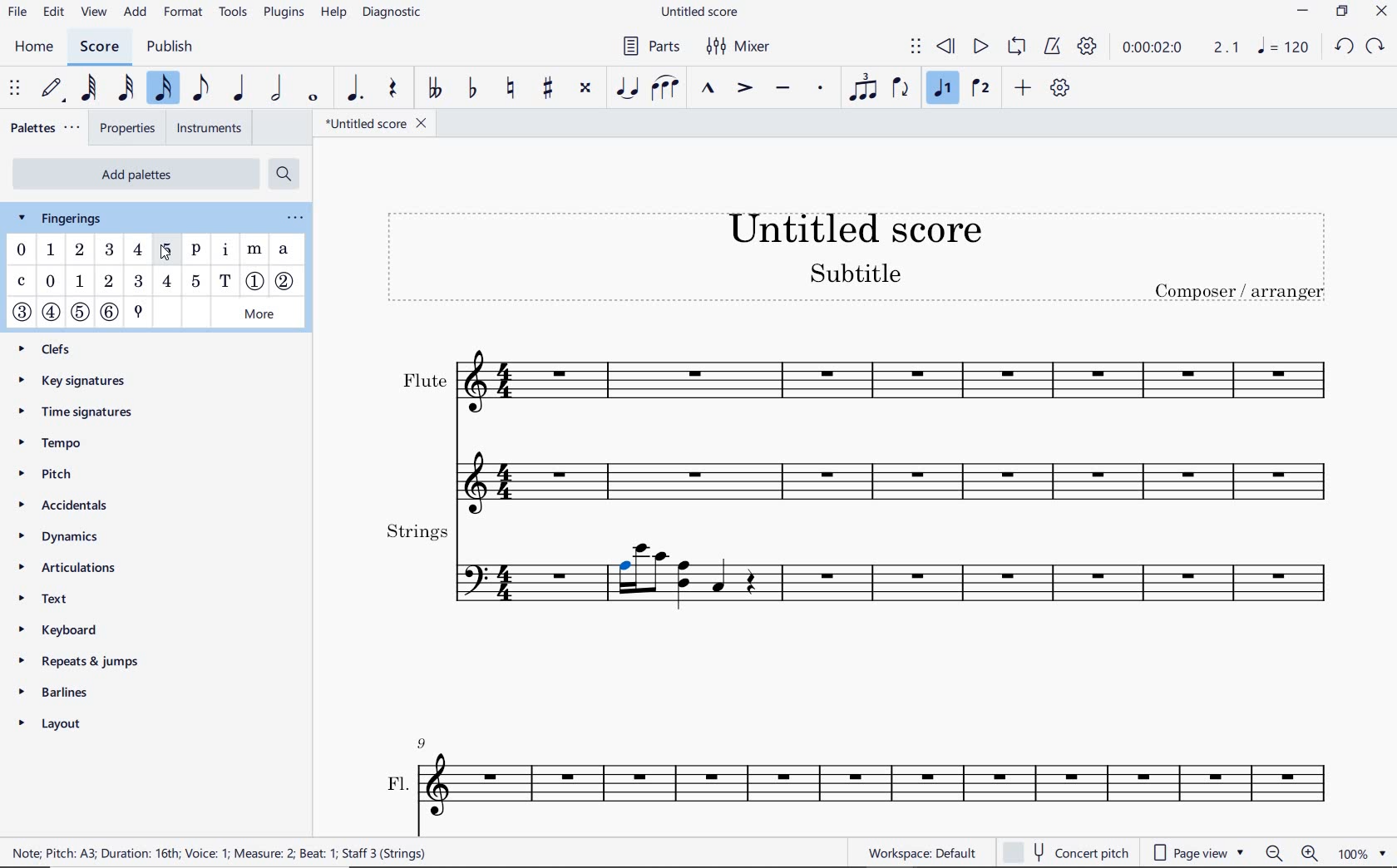 The image size is (1397, 868). Describe the element at coordinates (81, 409) in the screenshot. I see `time signatures` at that location.